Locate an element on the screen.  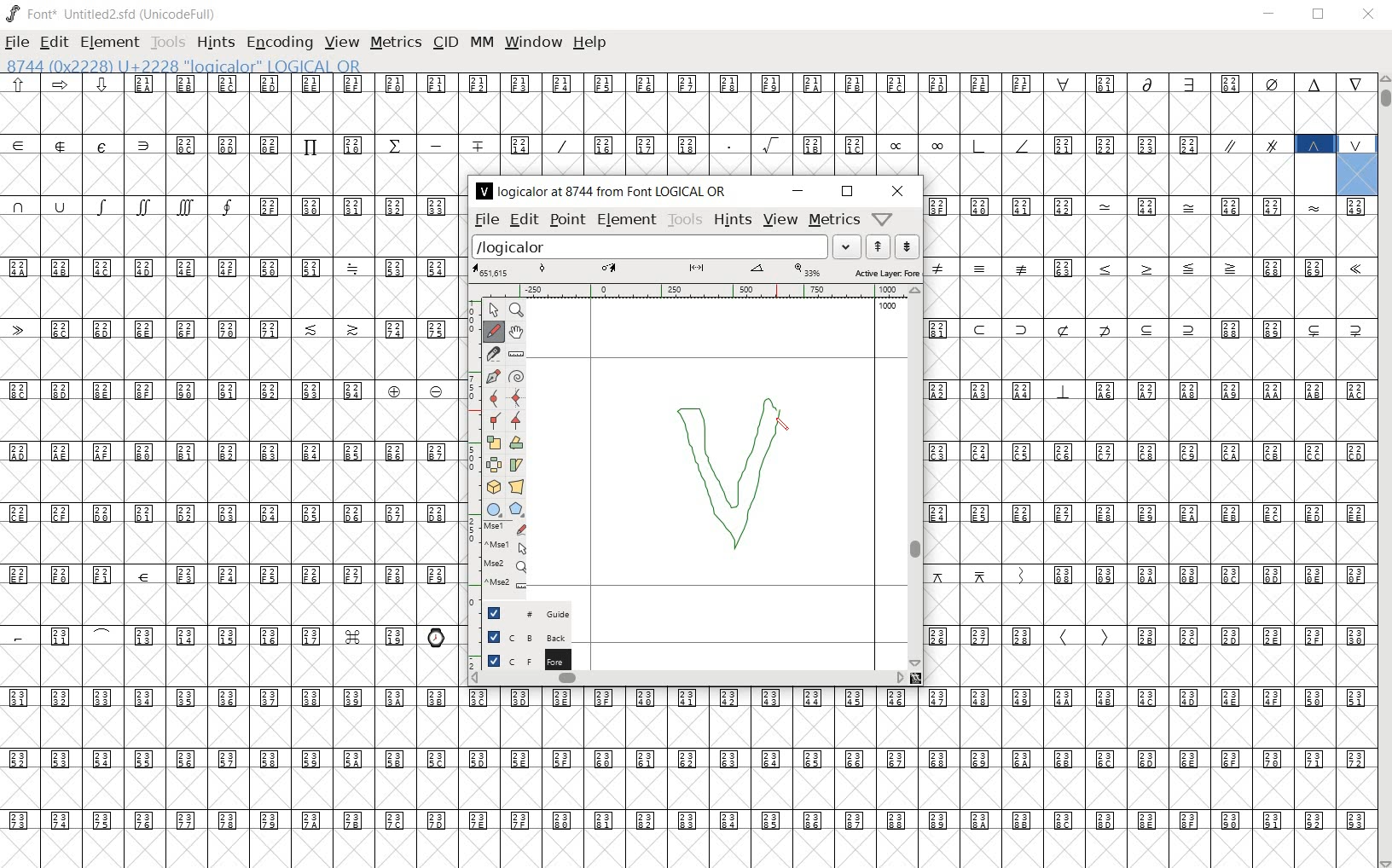
view is located at coordinates (342, 43).